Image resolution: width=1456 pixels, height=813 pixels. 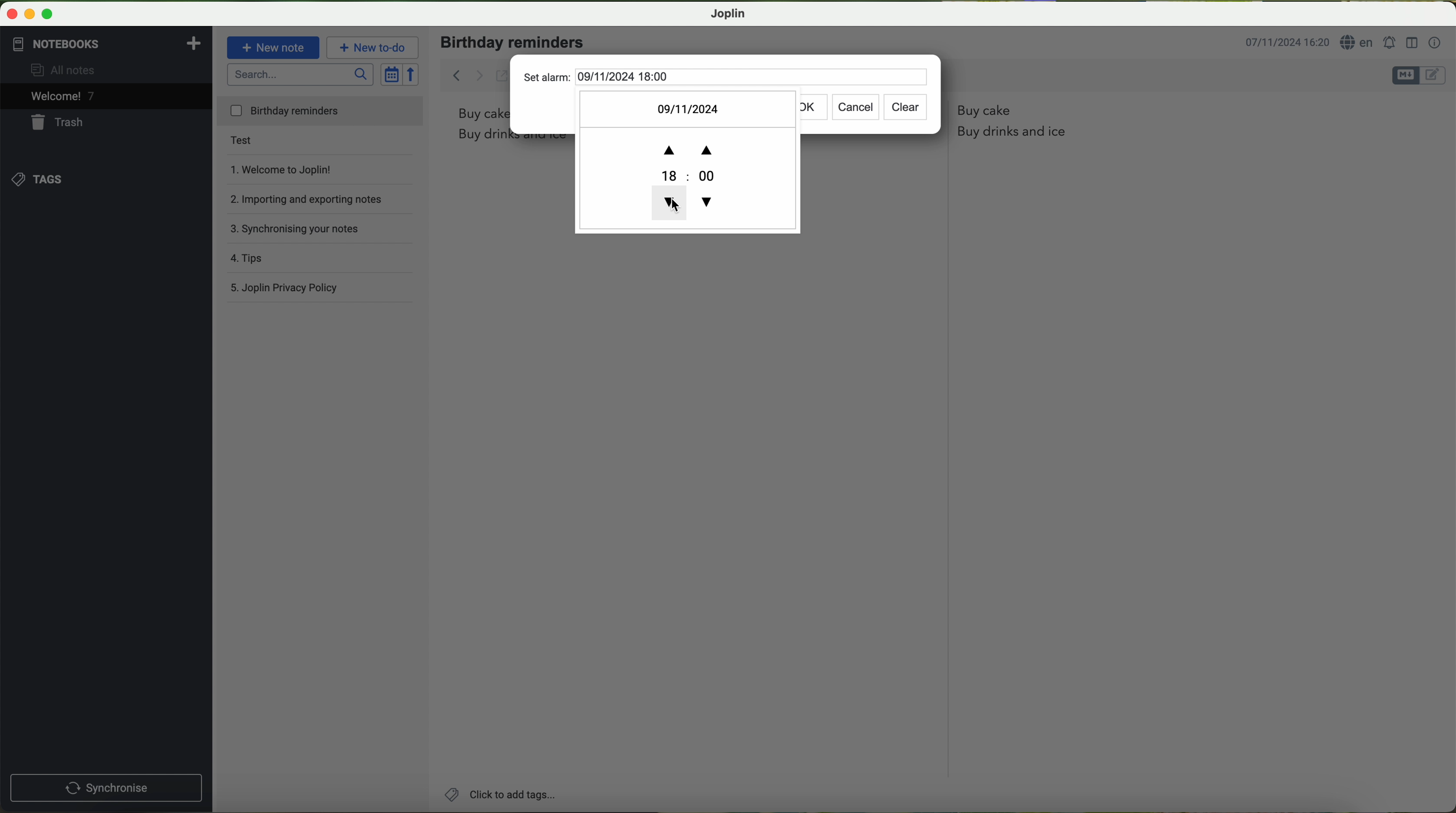 I want to click on synchronising your notes, so click(x=304, y=227).